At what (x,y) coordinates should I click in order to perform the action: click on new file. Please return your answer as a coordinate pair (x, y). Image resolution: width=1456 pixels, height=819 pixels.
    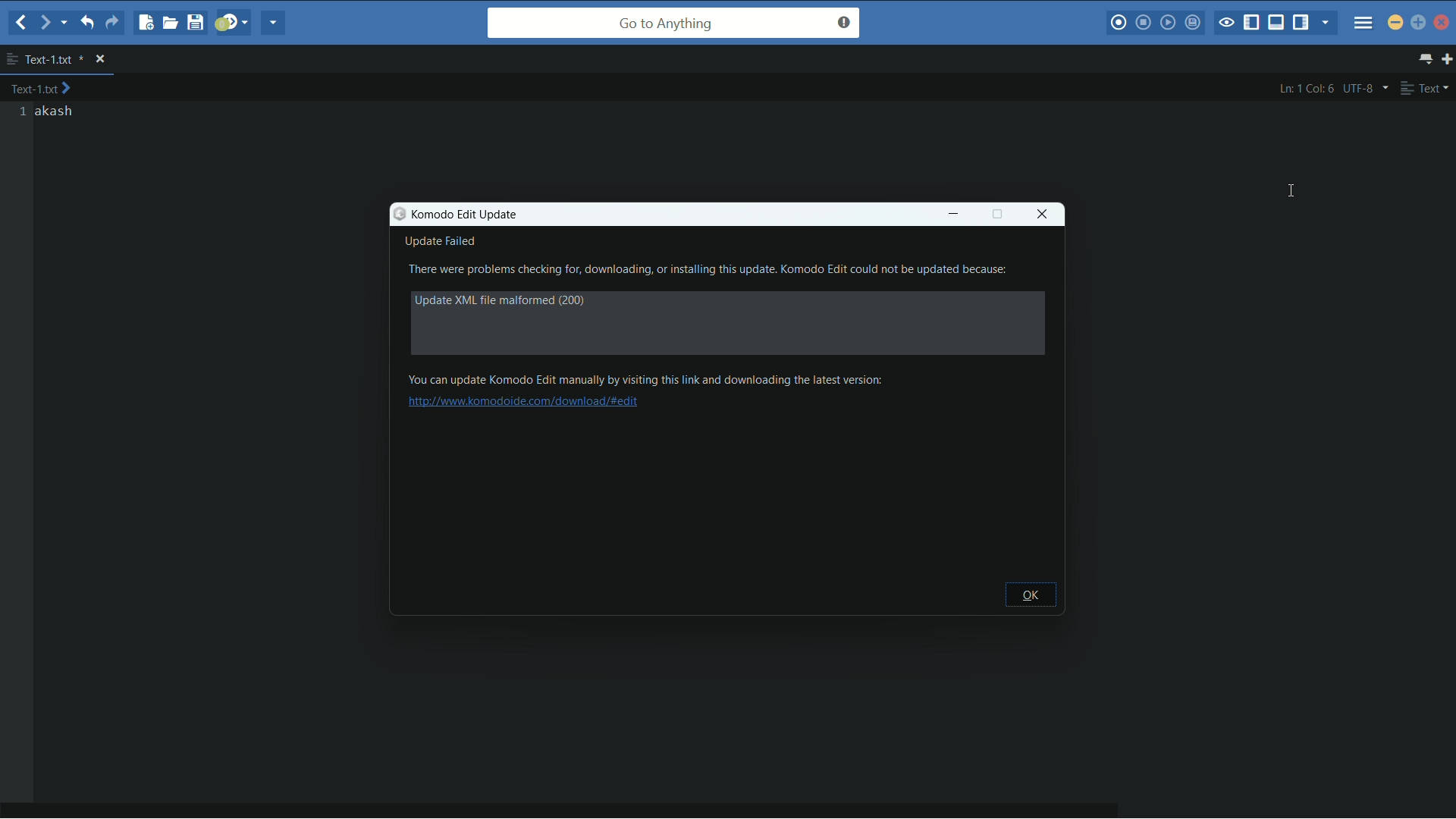
    Looking at the image, I should click on (146, 24).